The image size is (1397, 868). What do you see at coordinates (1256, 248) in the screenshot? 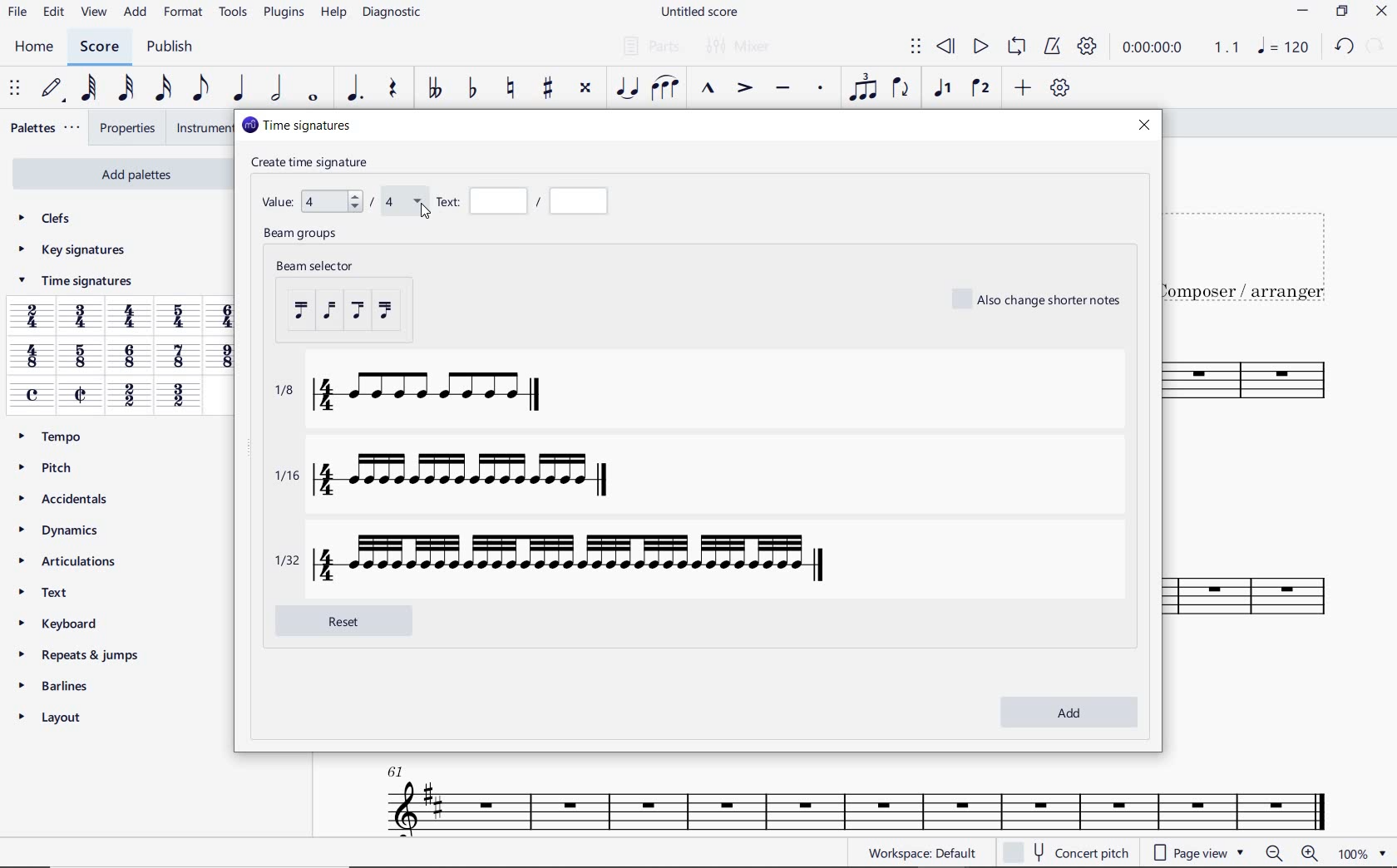
I see `TITLE` at bounding box center [1256, 248].